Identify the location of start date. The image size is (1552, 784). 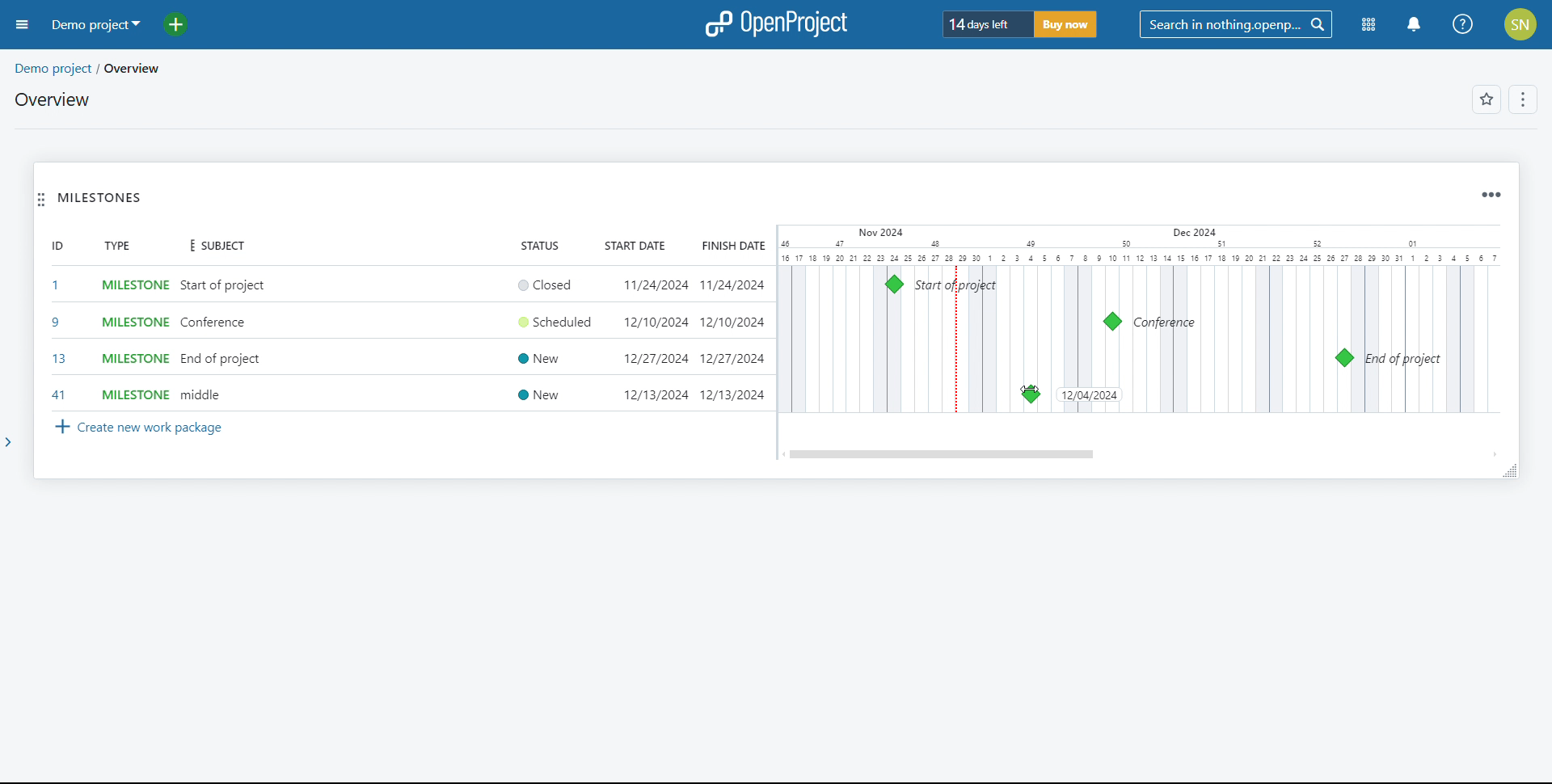
(637, 245).